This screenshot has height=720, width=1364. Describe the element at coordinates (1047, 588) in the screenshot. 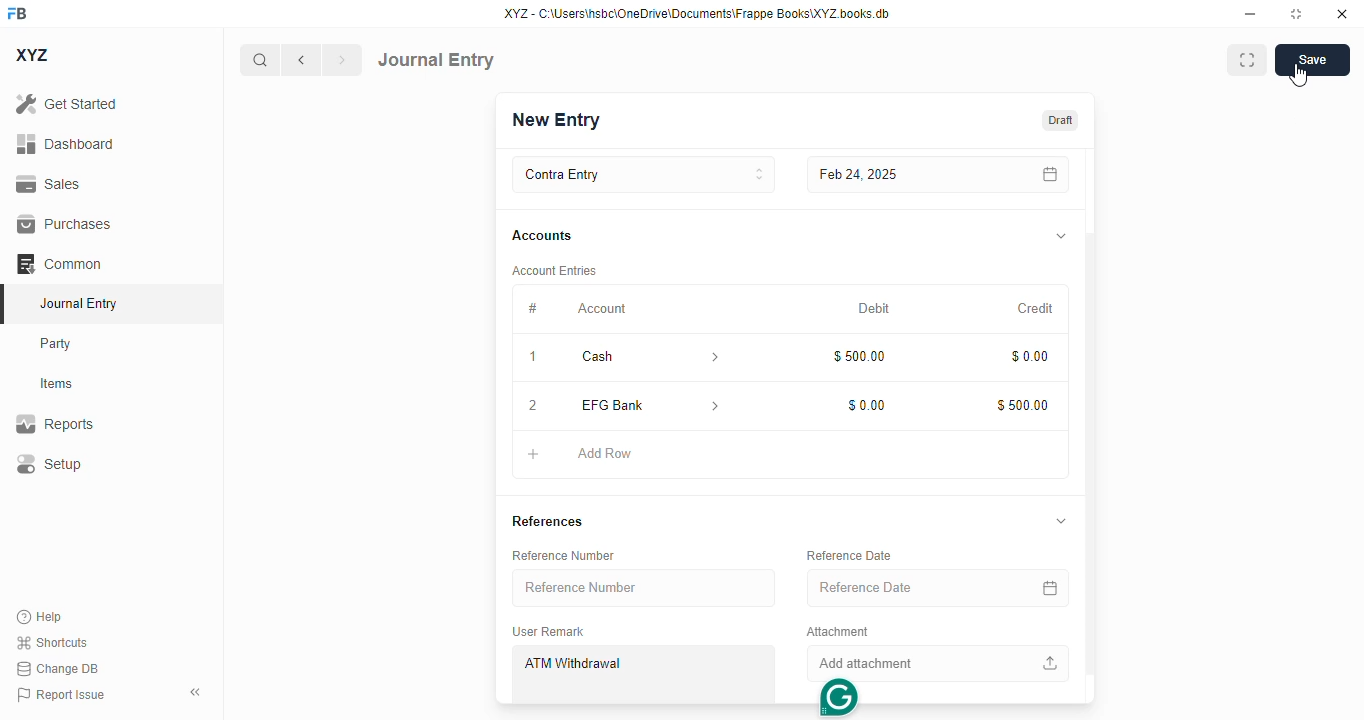

I see `calendar icon` at that location.